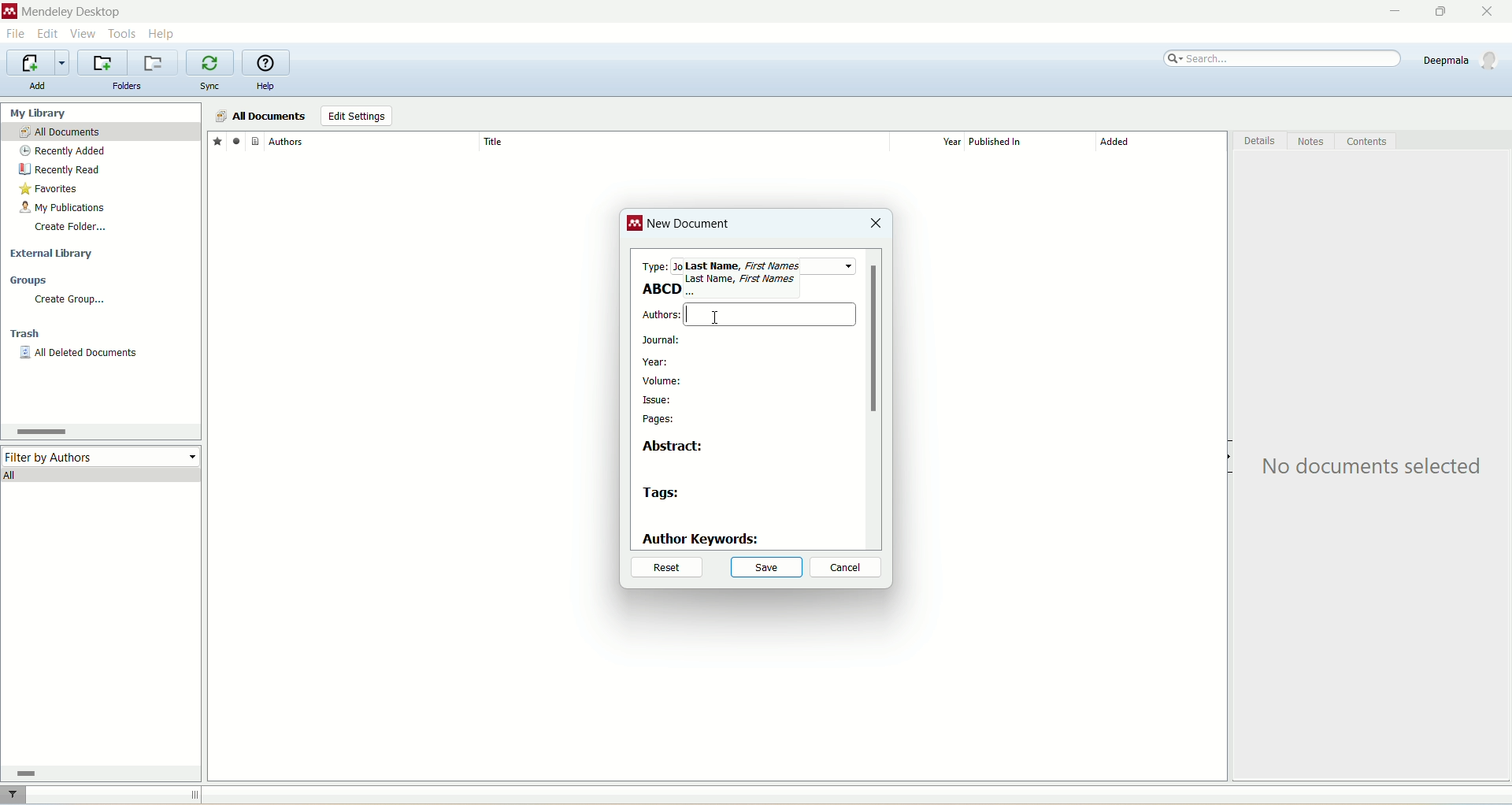  What do you see at coordinates (40, 113) in the screenshot?
I see `my library` at bounding box center [40, 113].